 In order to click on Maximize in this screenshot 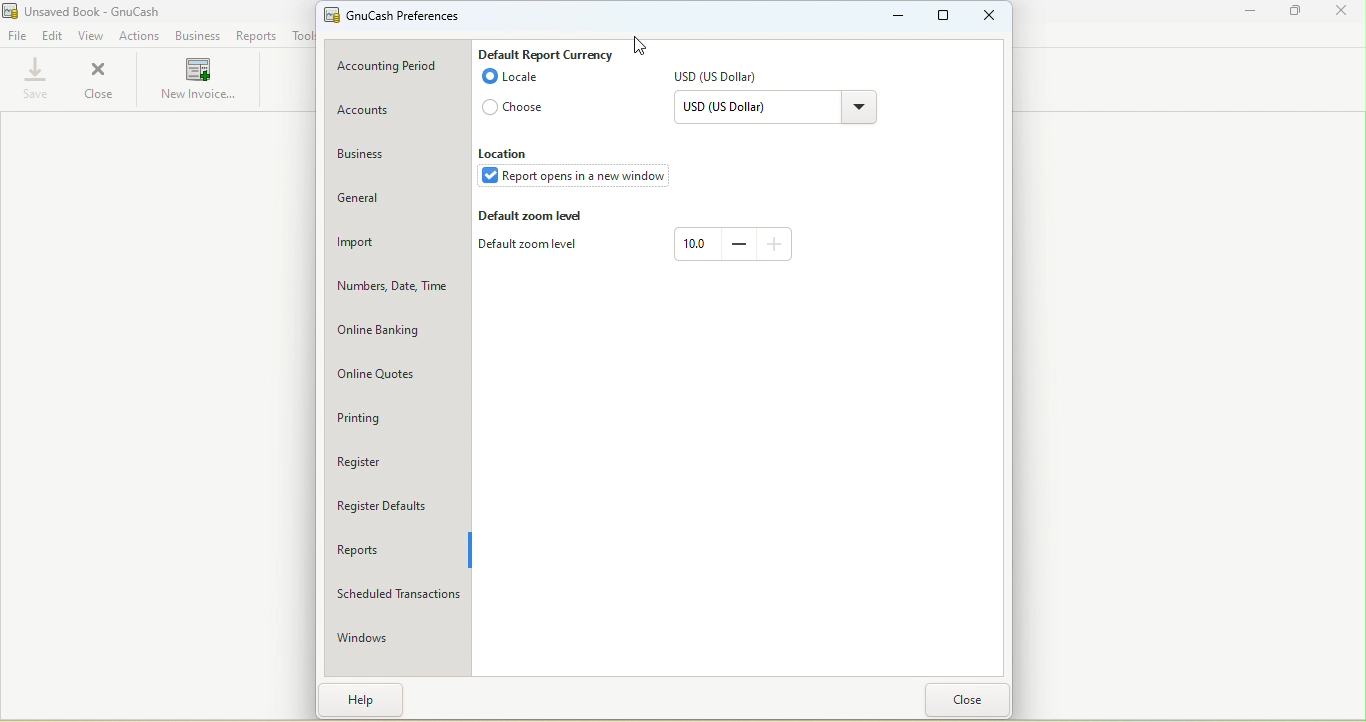, I will do `click(947, 17)`.